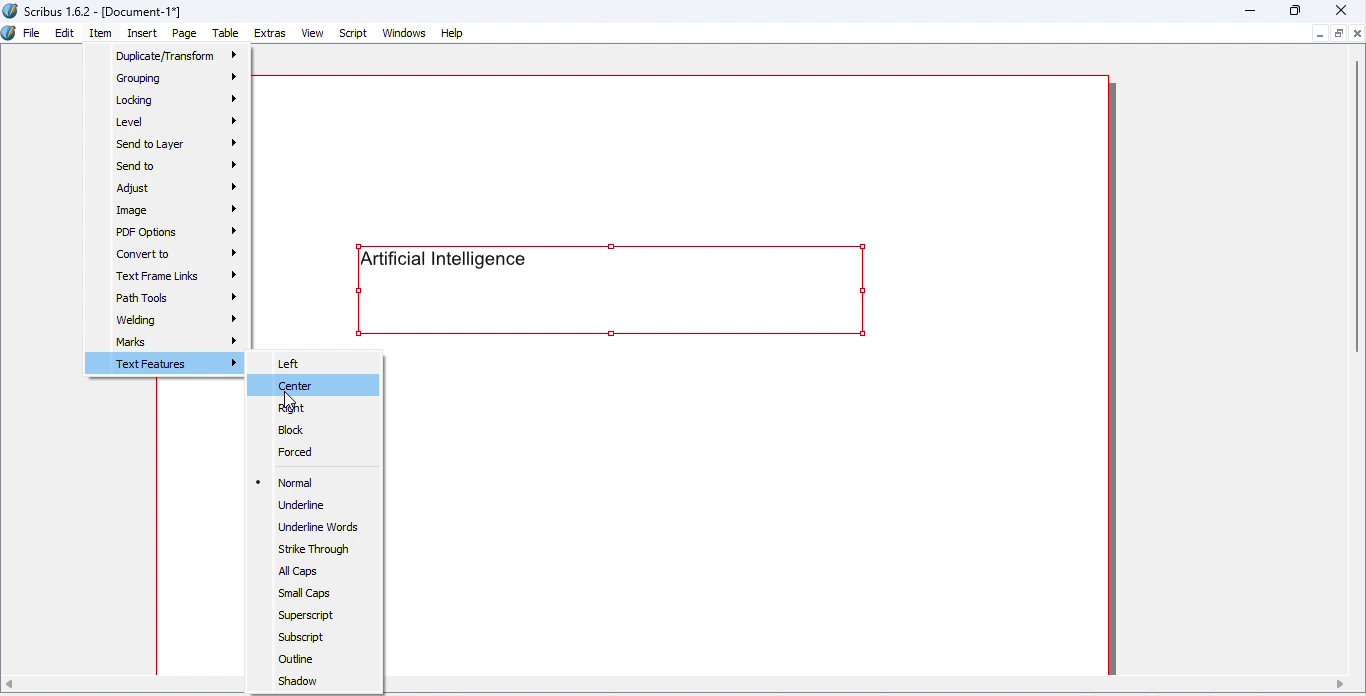 The image size is (1366, 696). Describe the element at coordinates (1318, 35) in the screenshot. I see `Minimize` at that location.